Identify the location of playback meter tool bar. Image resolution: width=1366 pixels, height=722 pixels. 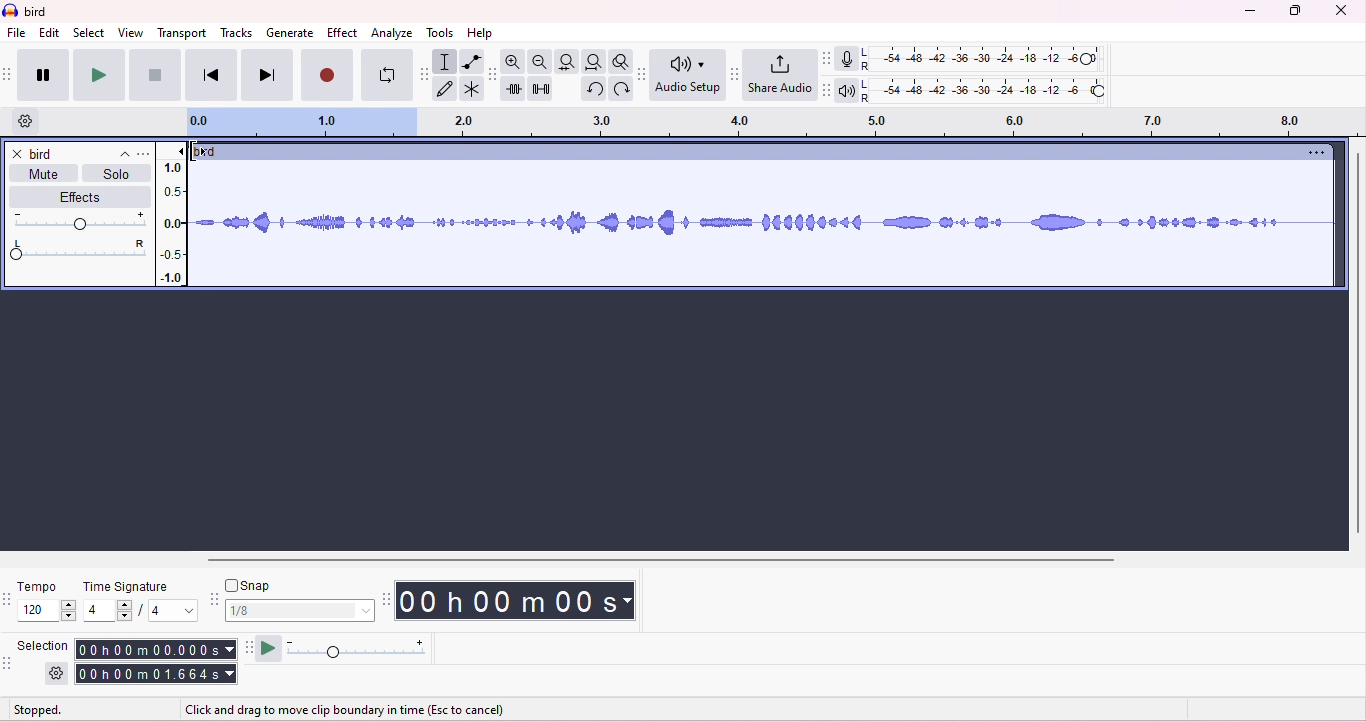
(823, 58).